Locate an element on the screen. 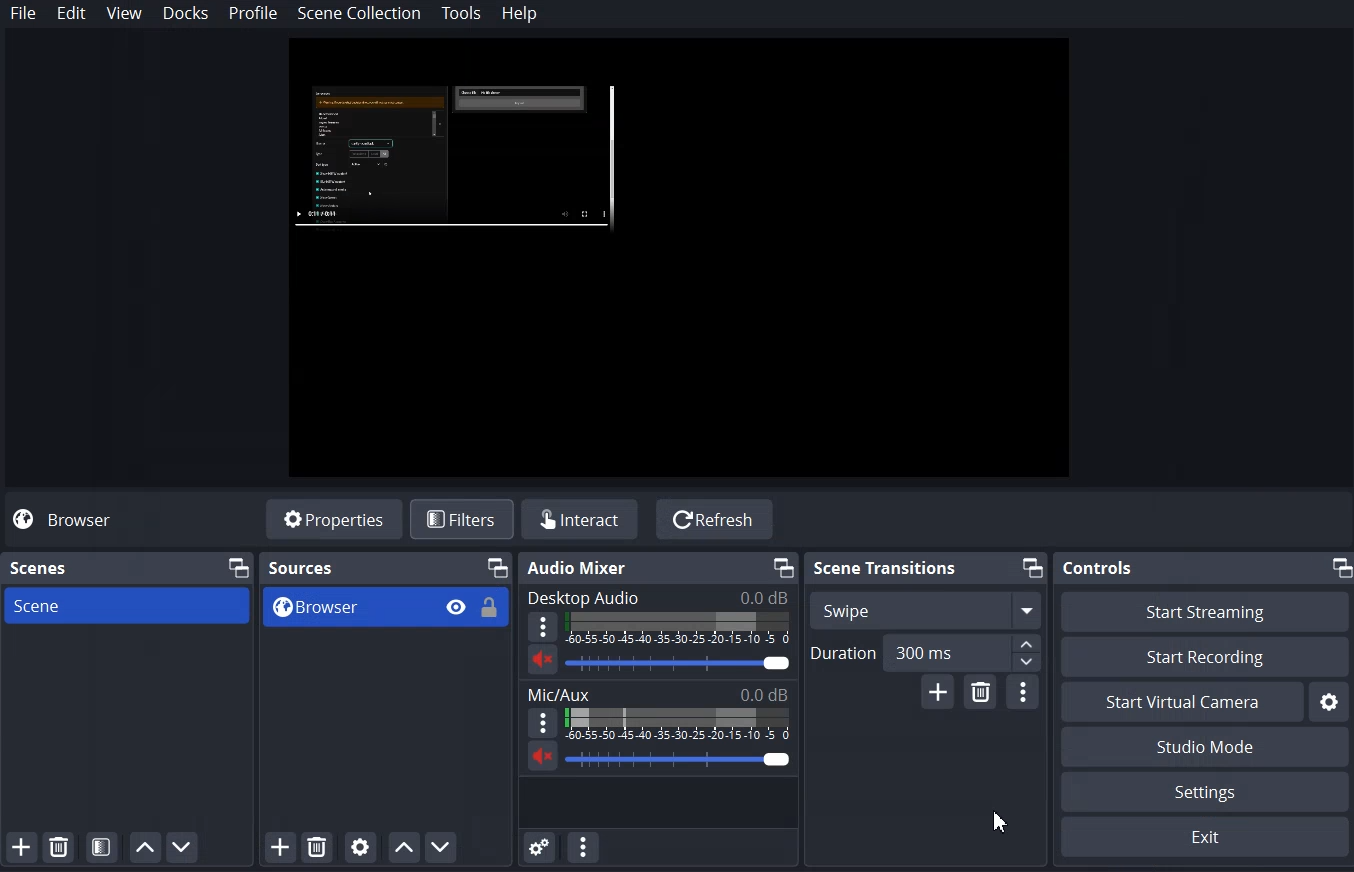 The width and height of the screenshot is (1354, 872). Volume Indicator is located at coordinates (679, 629).